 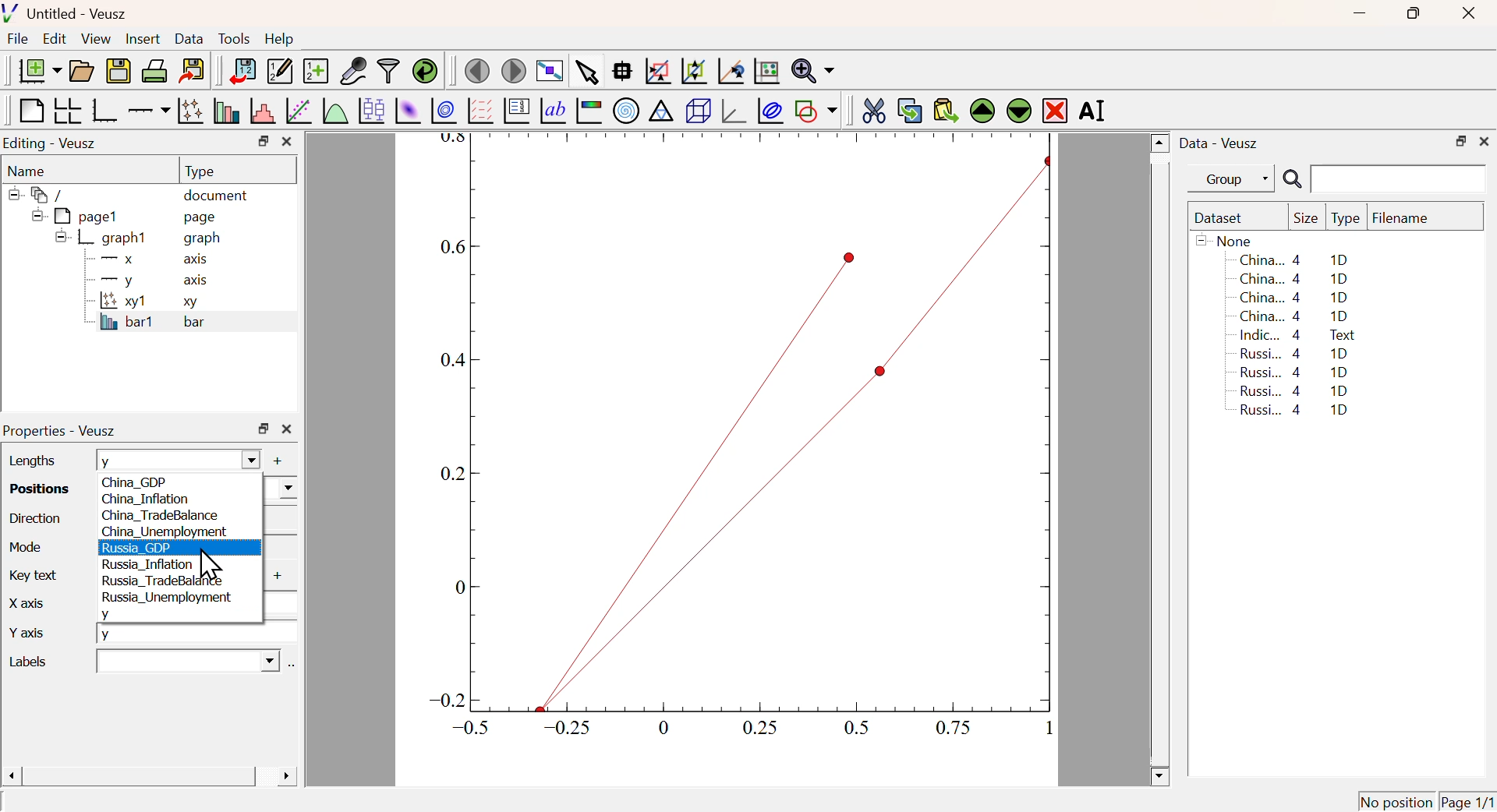 What do you see at coordinates (200, 171) in the screenshot?
I see `Type` at bounding box center [200, 171].